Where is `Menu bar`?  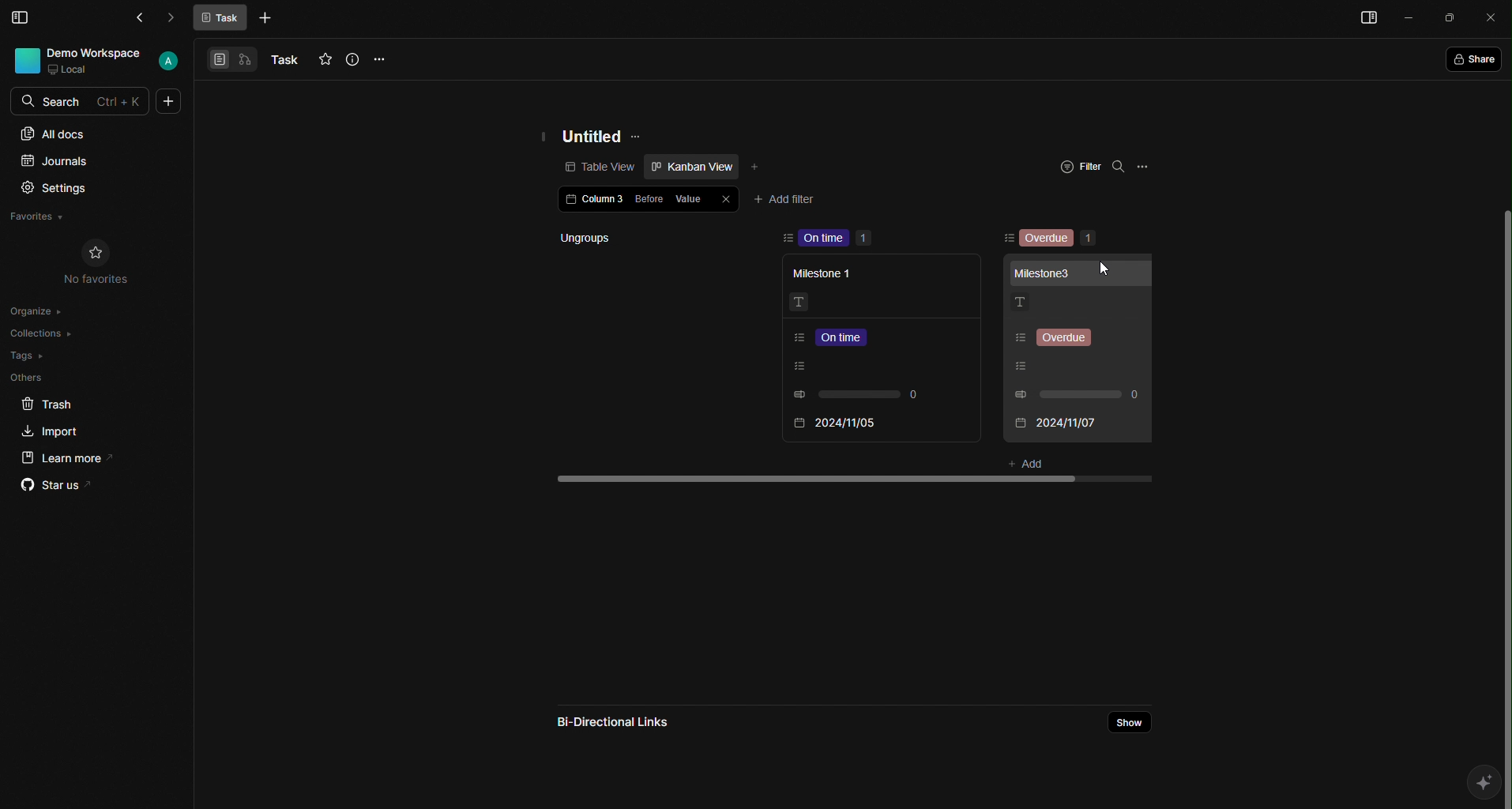 Menu bar is located at coordinates (1364, 20).